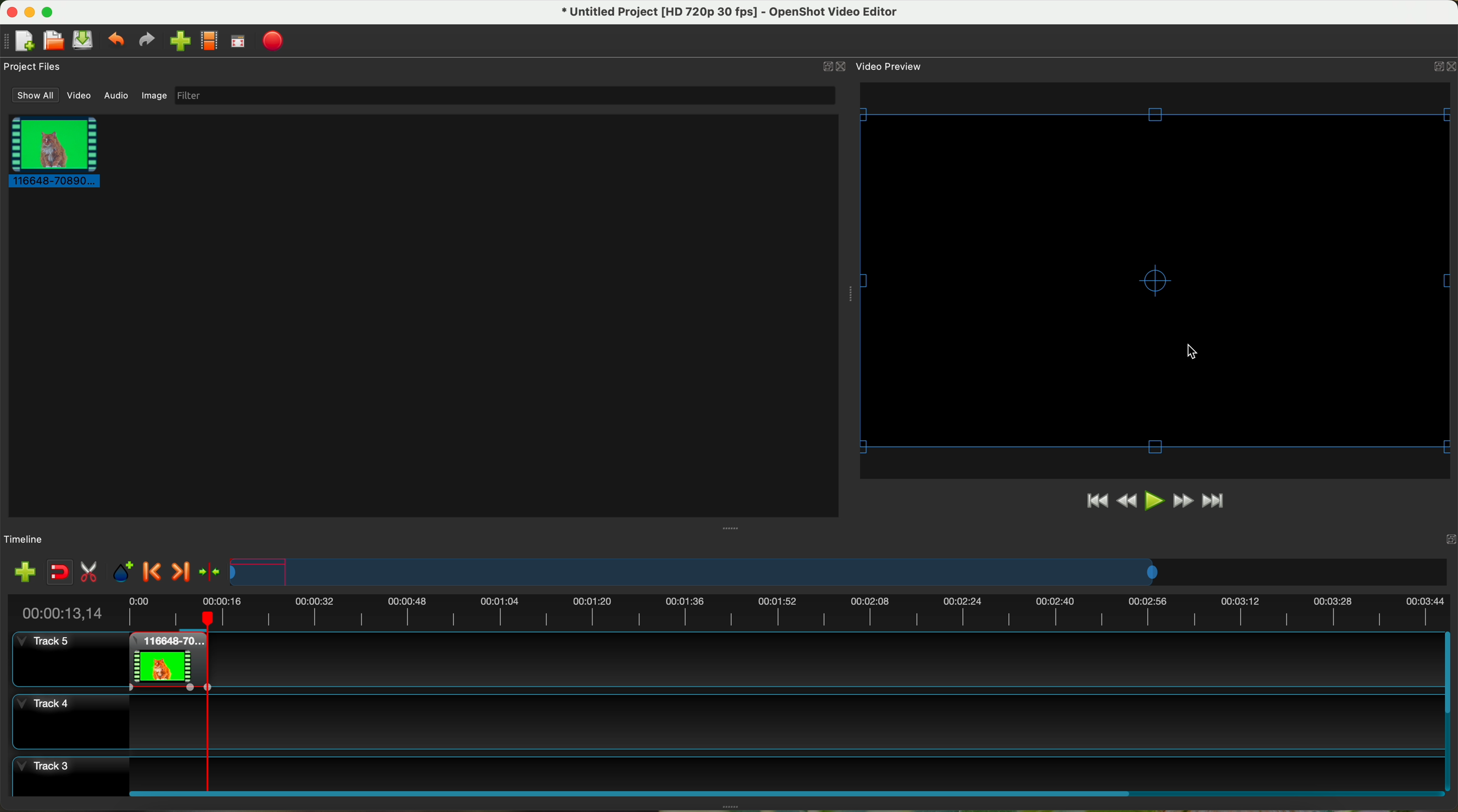 The image size is (1458, 812). What do you see at coordinates (207, 701) in the screenshot?
I see `timeline on the end` at bounding box center [207, 701].